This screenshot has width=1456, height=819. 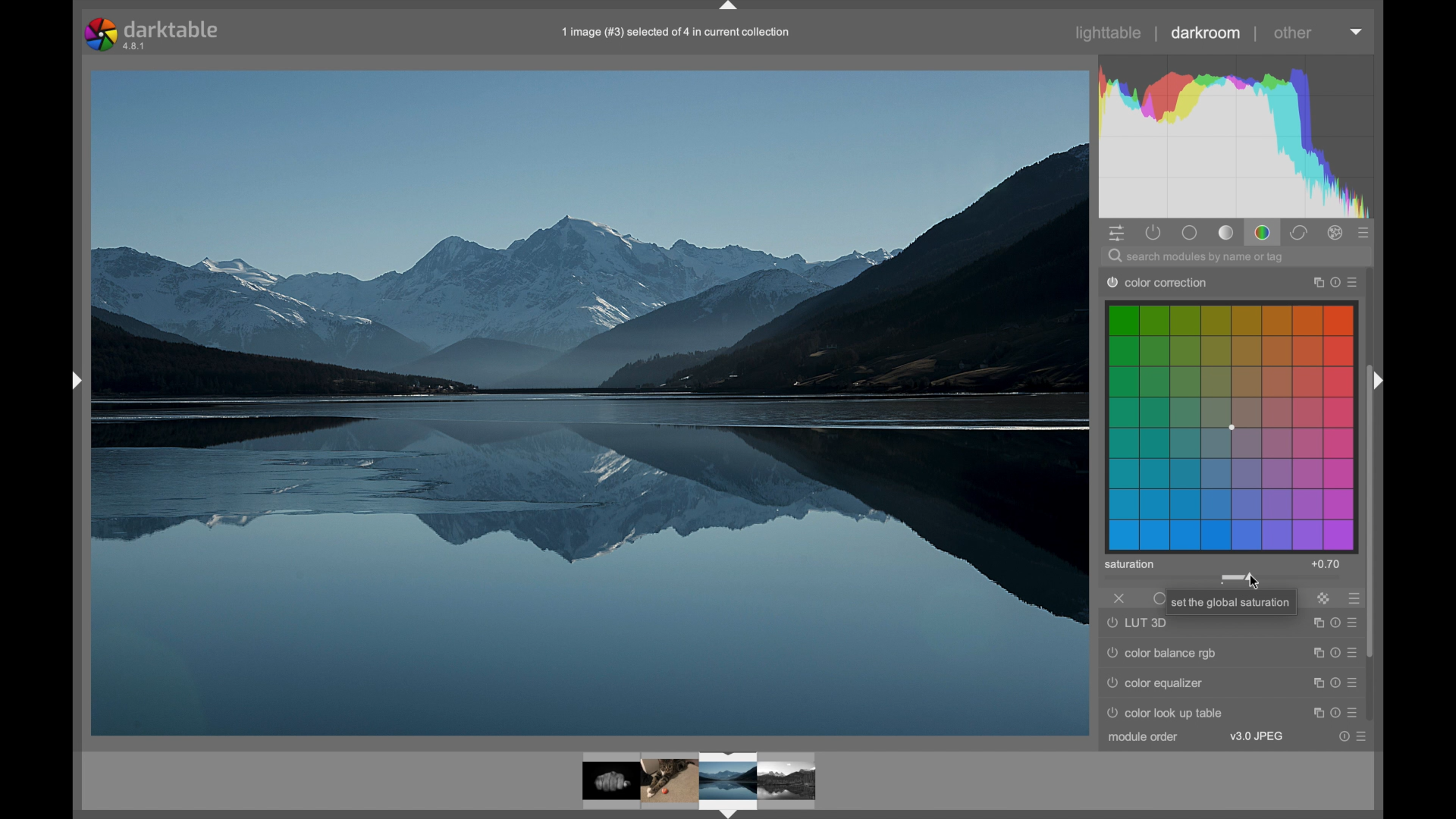 What do you see at coordinates (1158, 651) in the screenshot?
I see `color balance` at bounding box center [1158, 651].